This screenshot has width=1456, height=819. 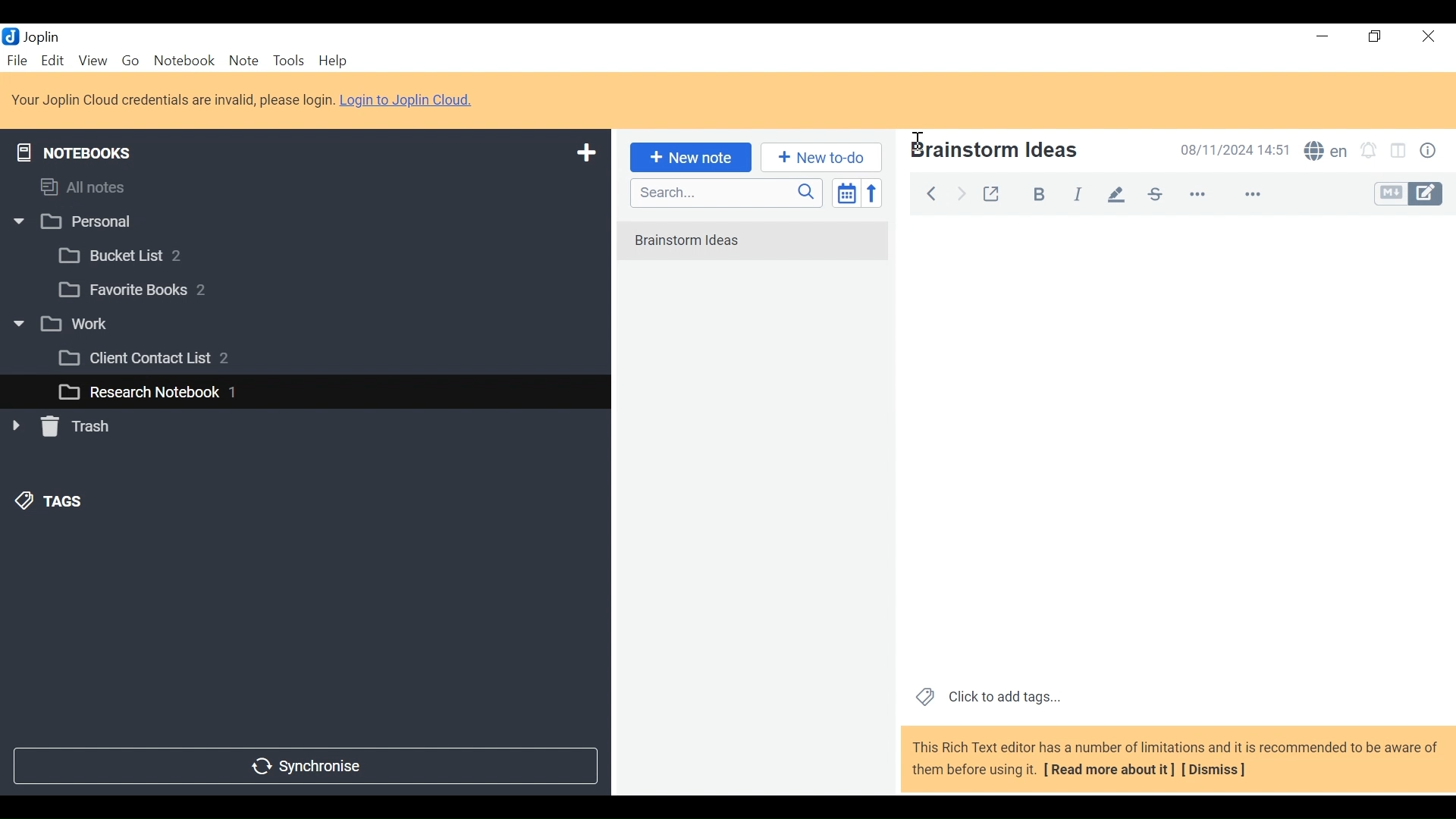 I want to click on Click to add tags, so click(x=985, y=695).